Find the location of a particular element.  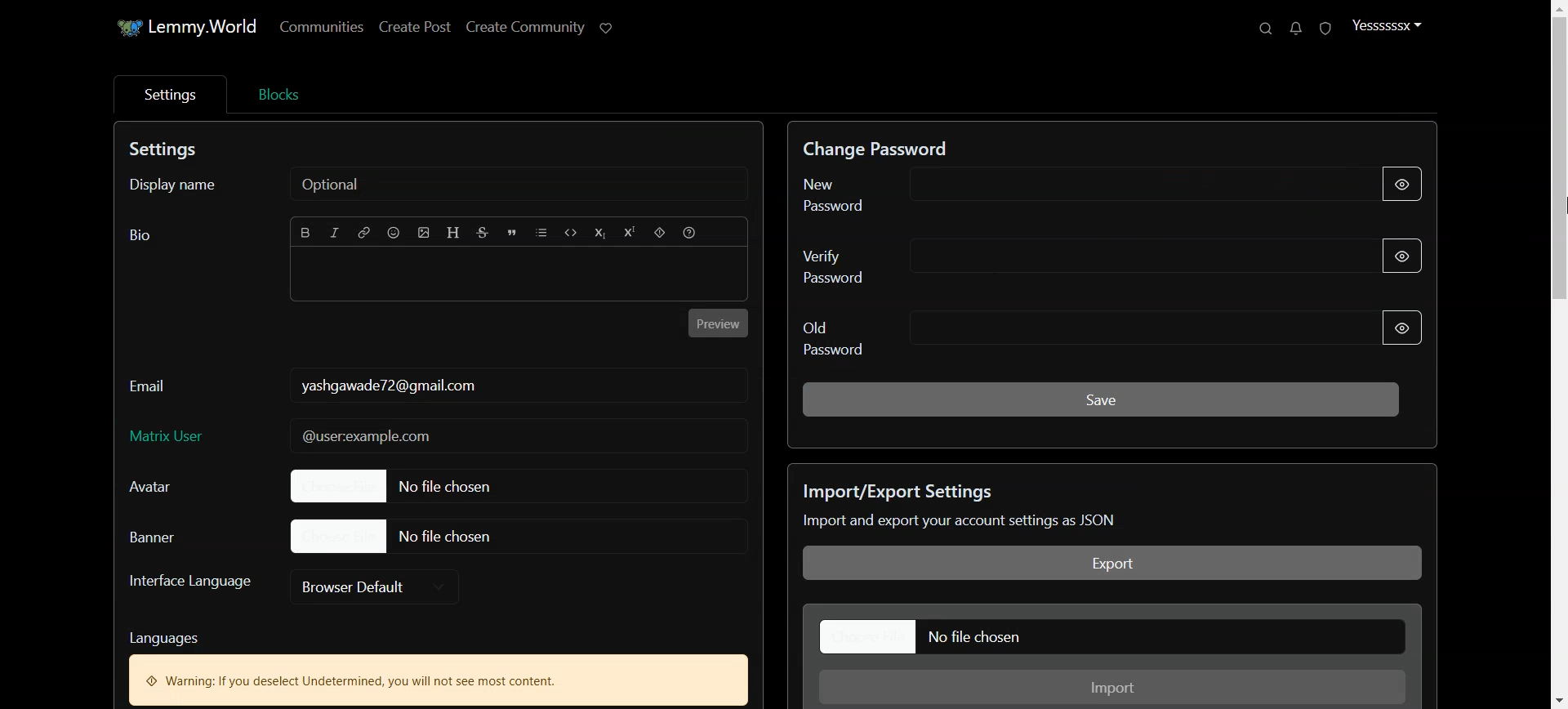

Unread report is located at coordinates (1326, 28).